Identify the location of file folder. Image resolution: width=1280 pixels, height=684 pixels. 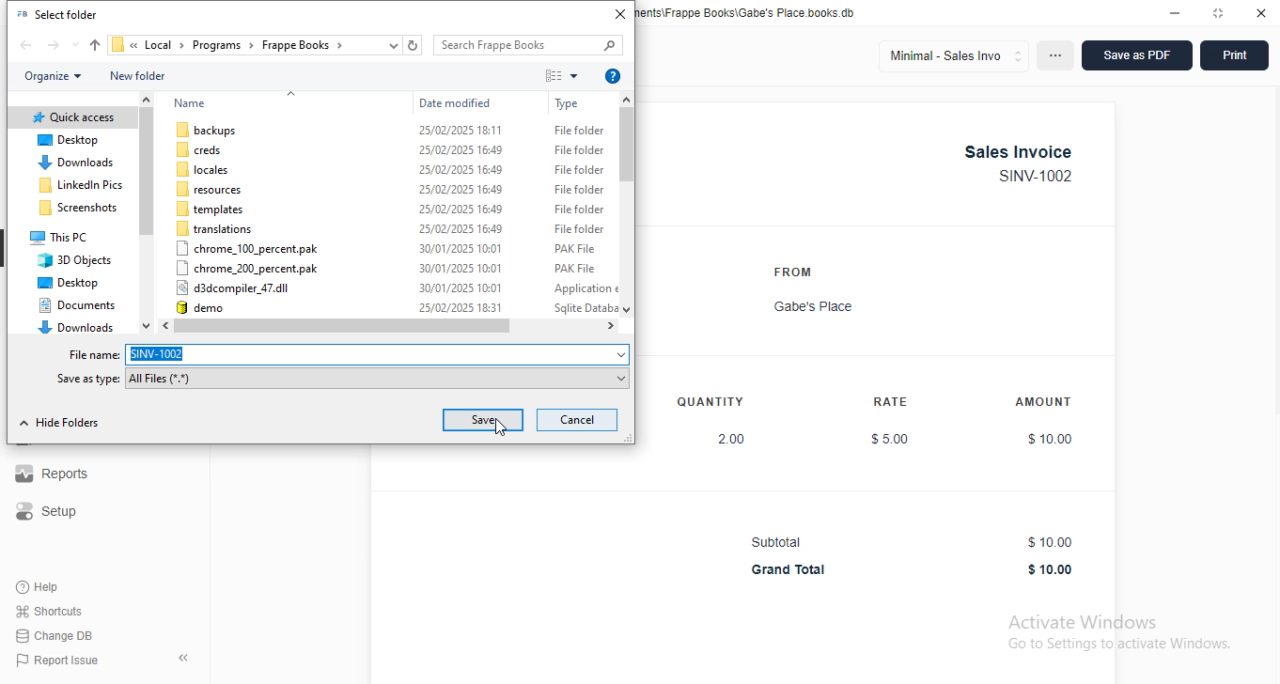
(579, 209).